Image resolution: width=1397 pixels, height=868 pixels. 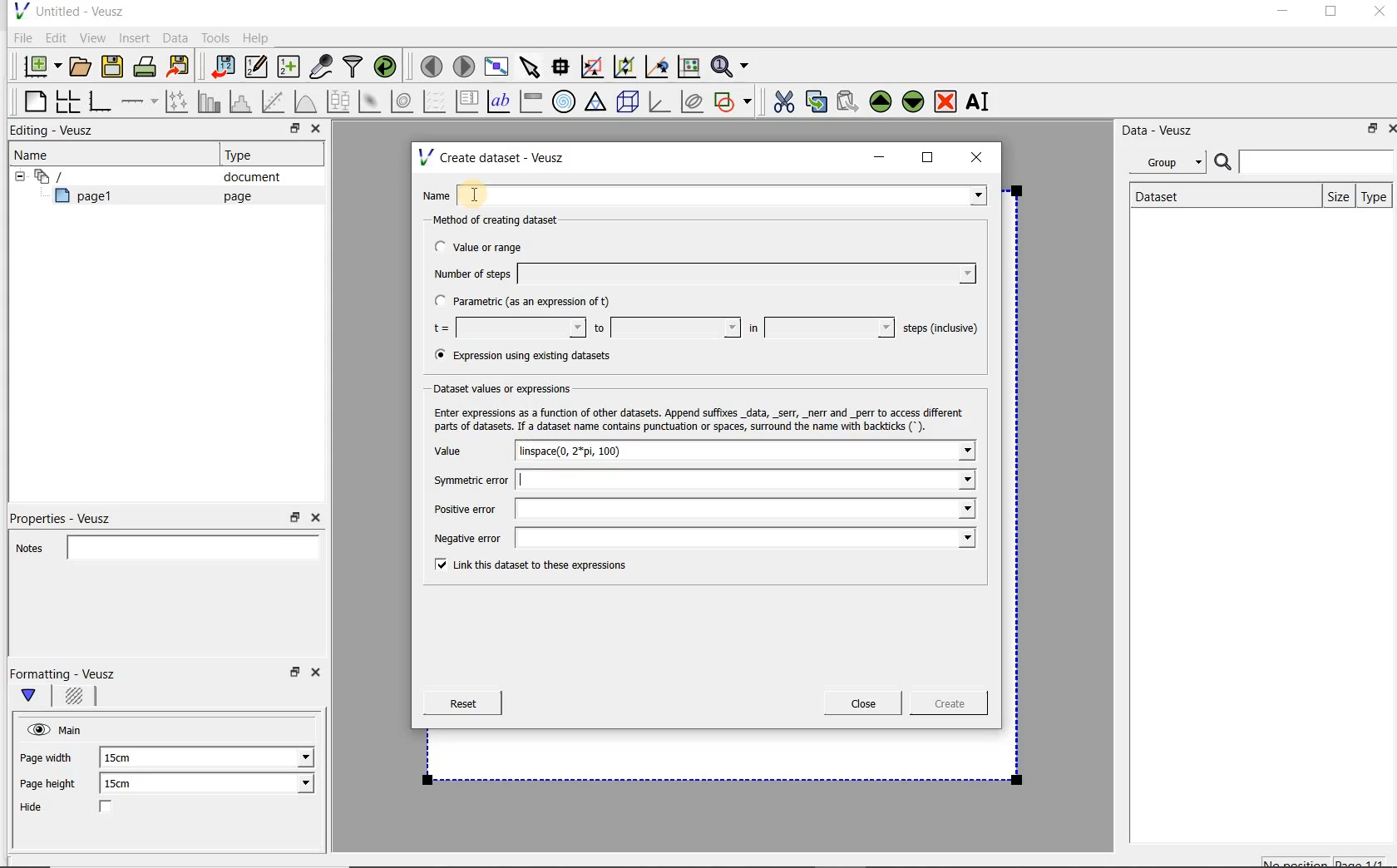 What do you see at coordinates (734, 100) in the screenshot?
I see `add a shape to the plot` at bounding box center [734, 100].